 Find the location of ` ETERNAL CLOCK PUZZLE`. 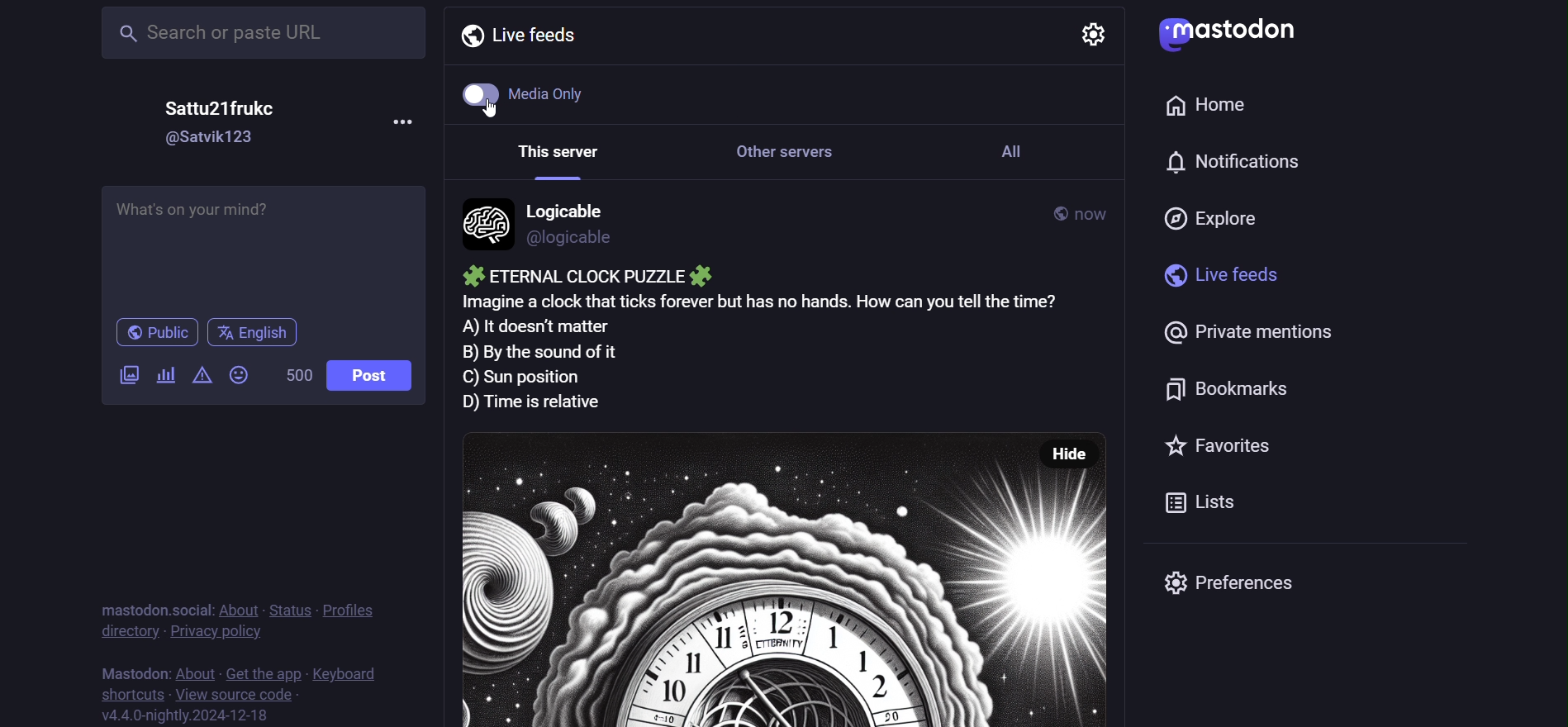

 ETERNAL CLOCK PUZZLE is located at coordinates (583, 276).